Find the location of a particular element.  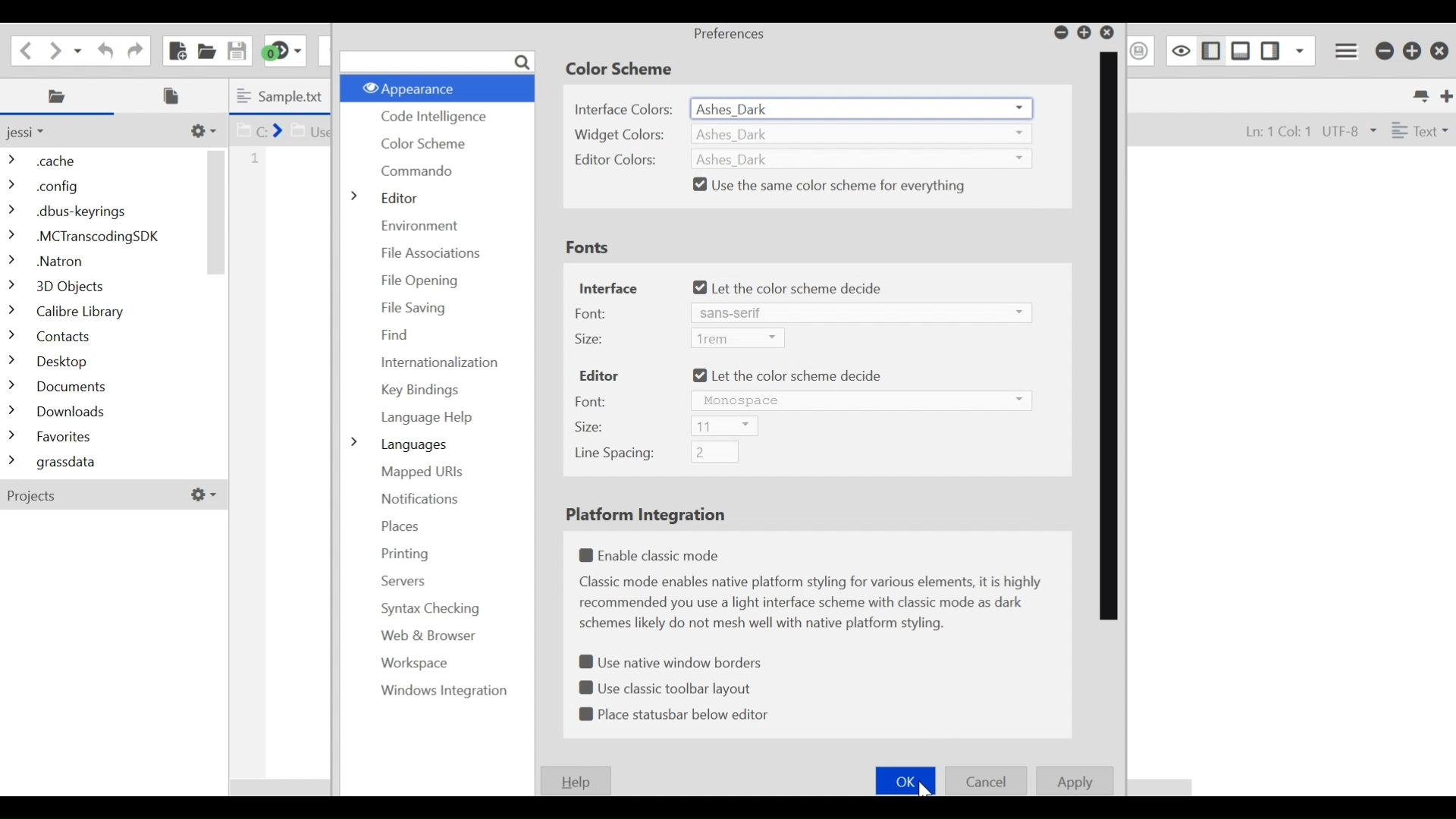

Show/ Hide left Pane is located at coordinates (1272, 50).